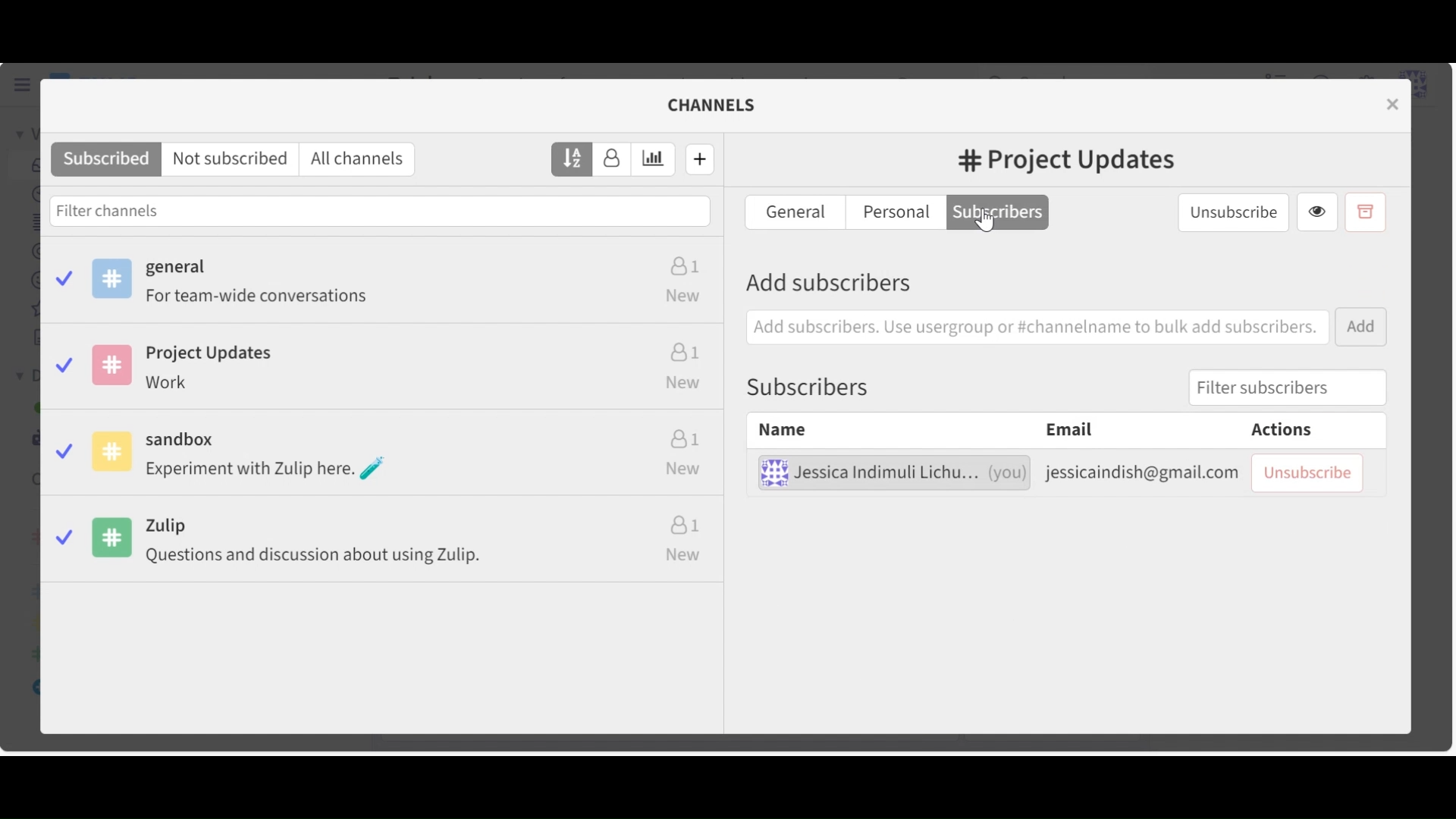 This screenshot has width=1456, height=819. Describe the element at coordinates (615, 159) in the screenshot. I see `Sort by subscribers` at that location.